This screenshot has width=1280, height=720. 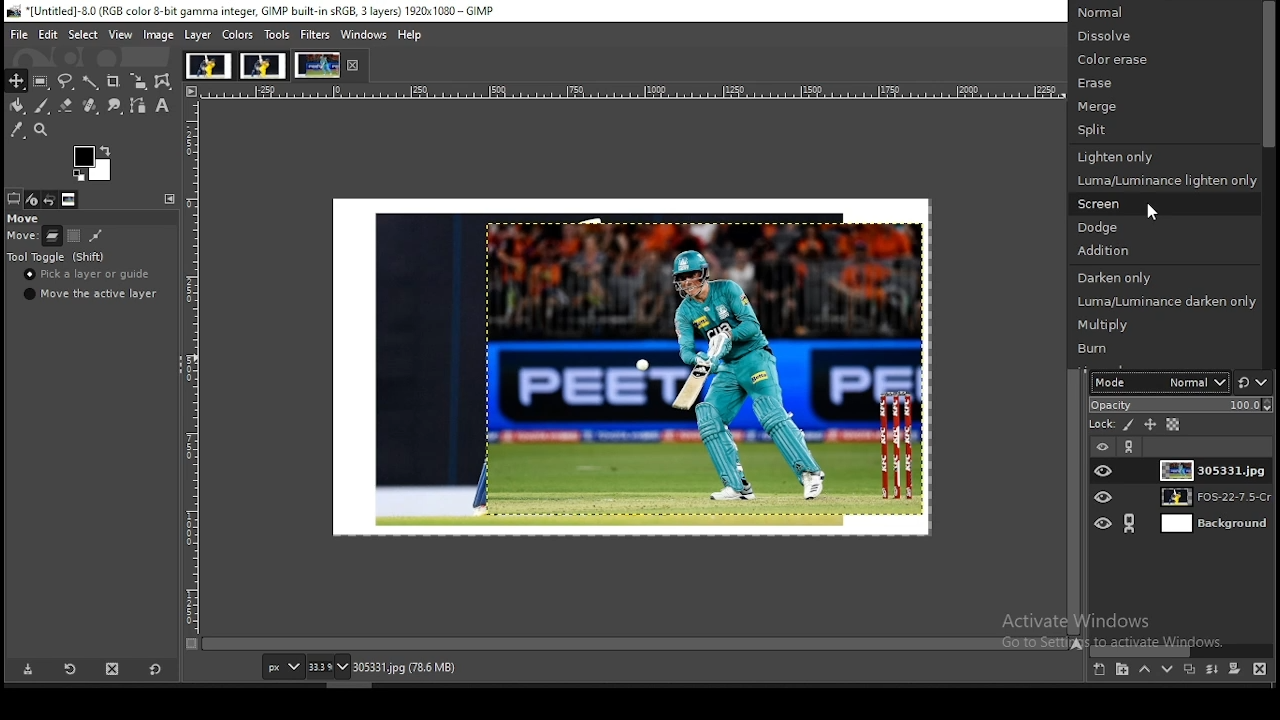 I want to click on layer, so click(x=201, y=35).